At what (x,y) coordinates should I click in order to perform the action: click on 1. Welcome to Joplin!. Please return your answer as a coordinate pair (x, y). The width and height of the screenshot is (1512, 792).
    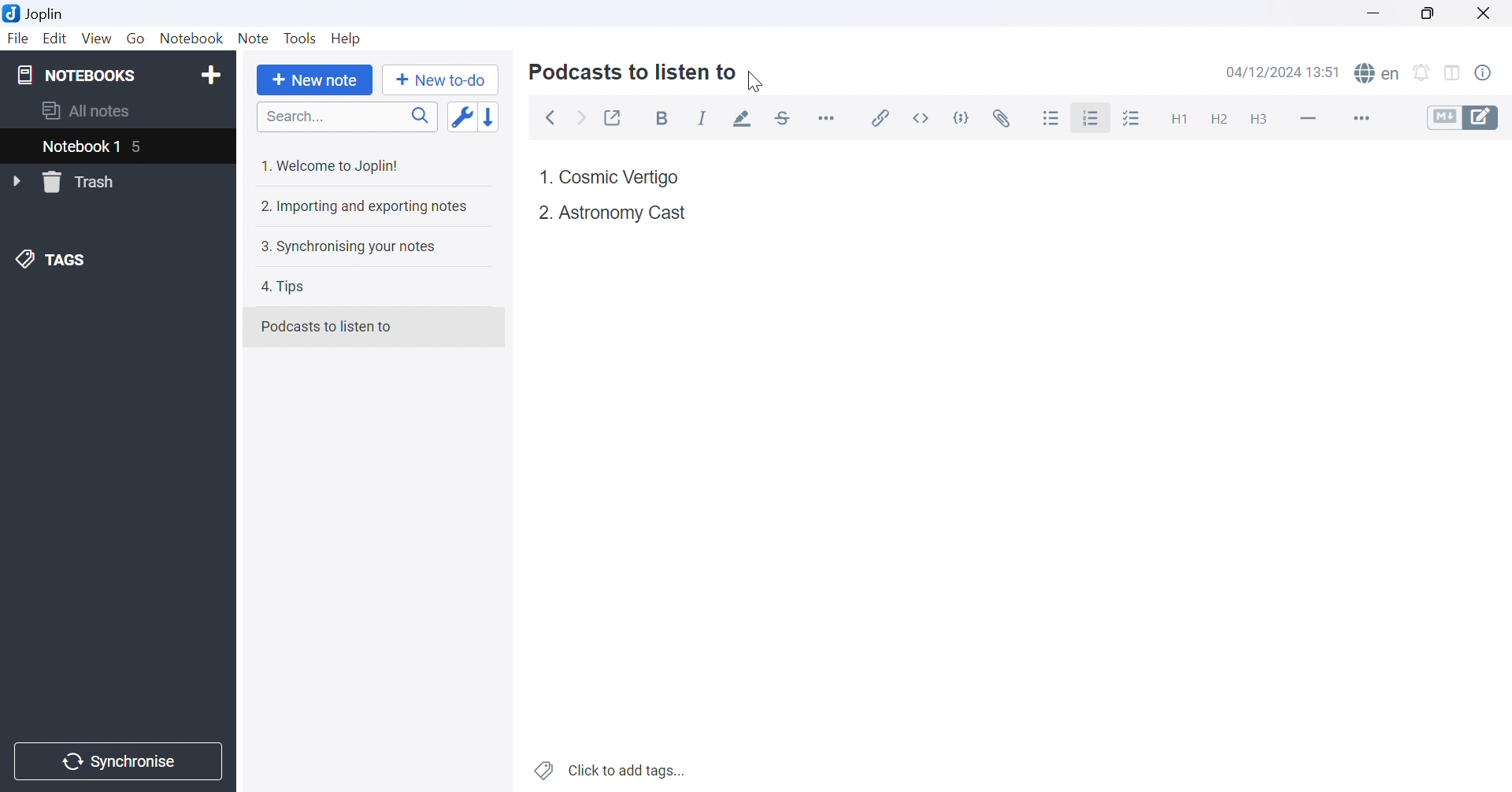
    Looking at the image, I should click on (332, 167).